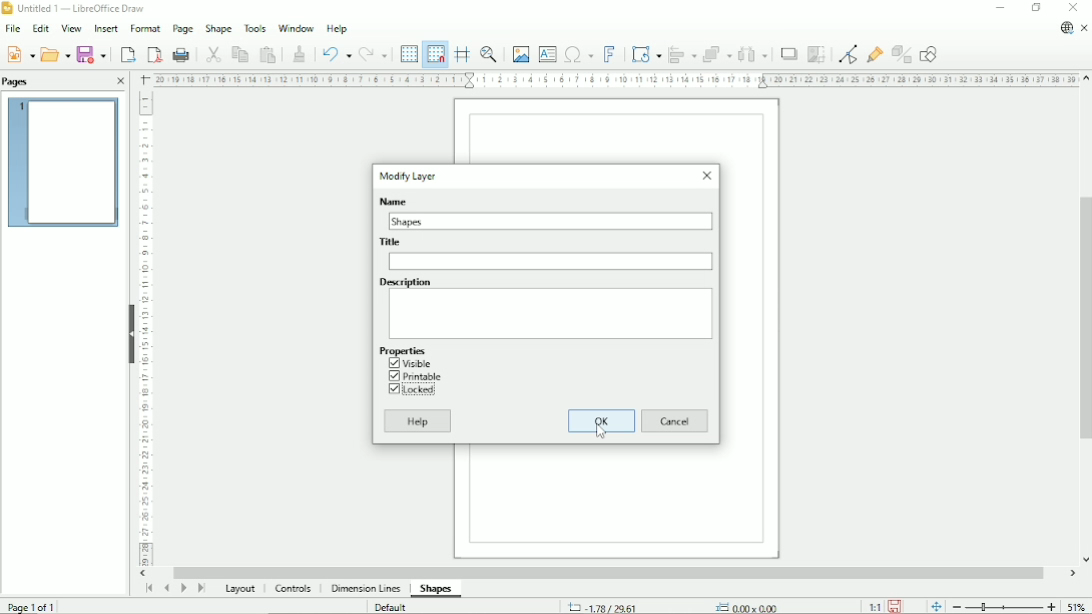 The height and width of the screenshot is (614, 1092). I want to click on Save, so click(895, 606).